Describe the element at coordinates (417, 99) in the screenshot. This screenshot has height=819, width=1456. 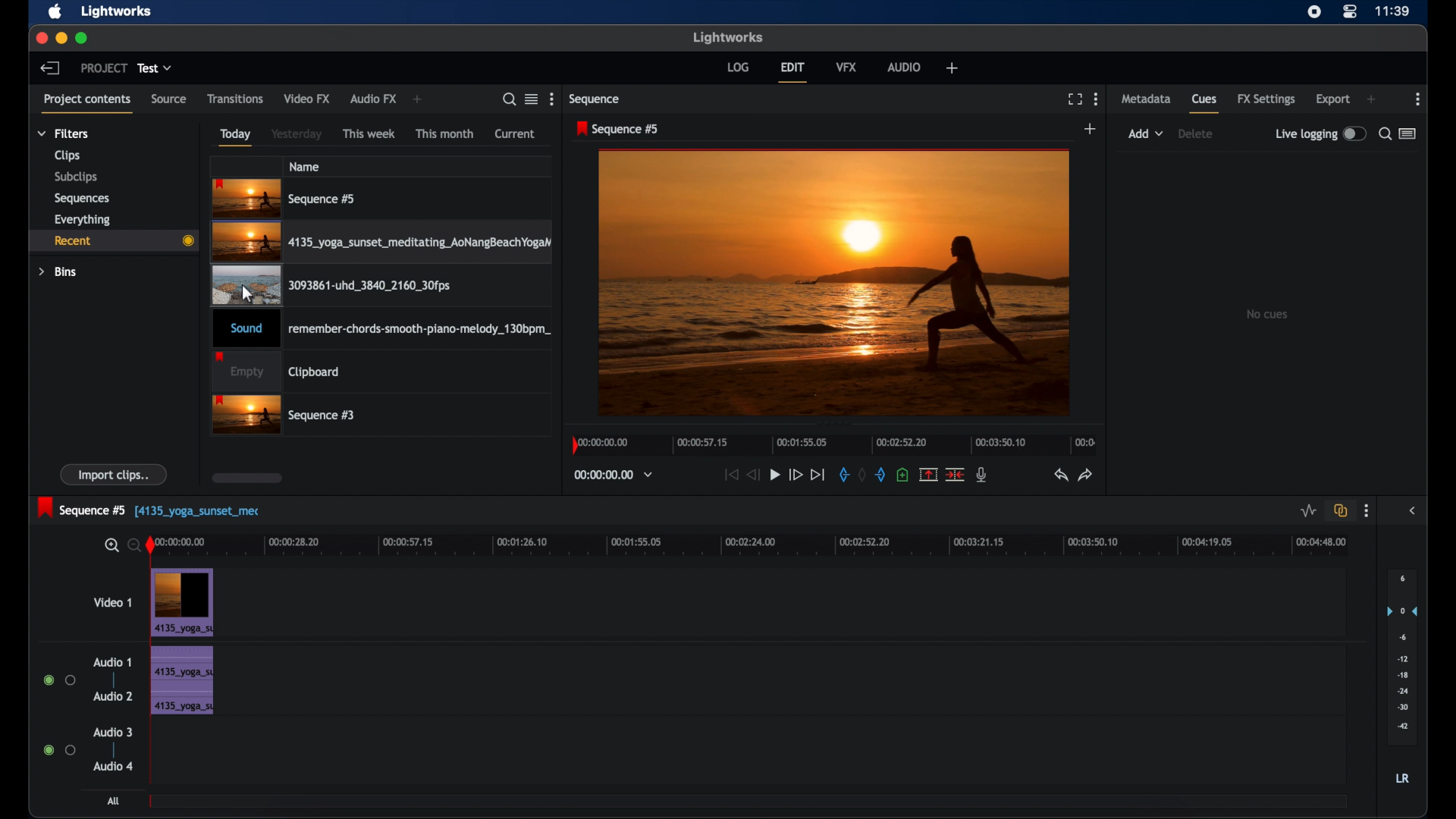
I see `add` at that location.